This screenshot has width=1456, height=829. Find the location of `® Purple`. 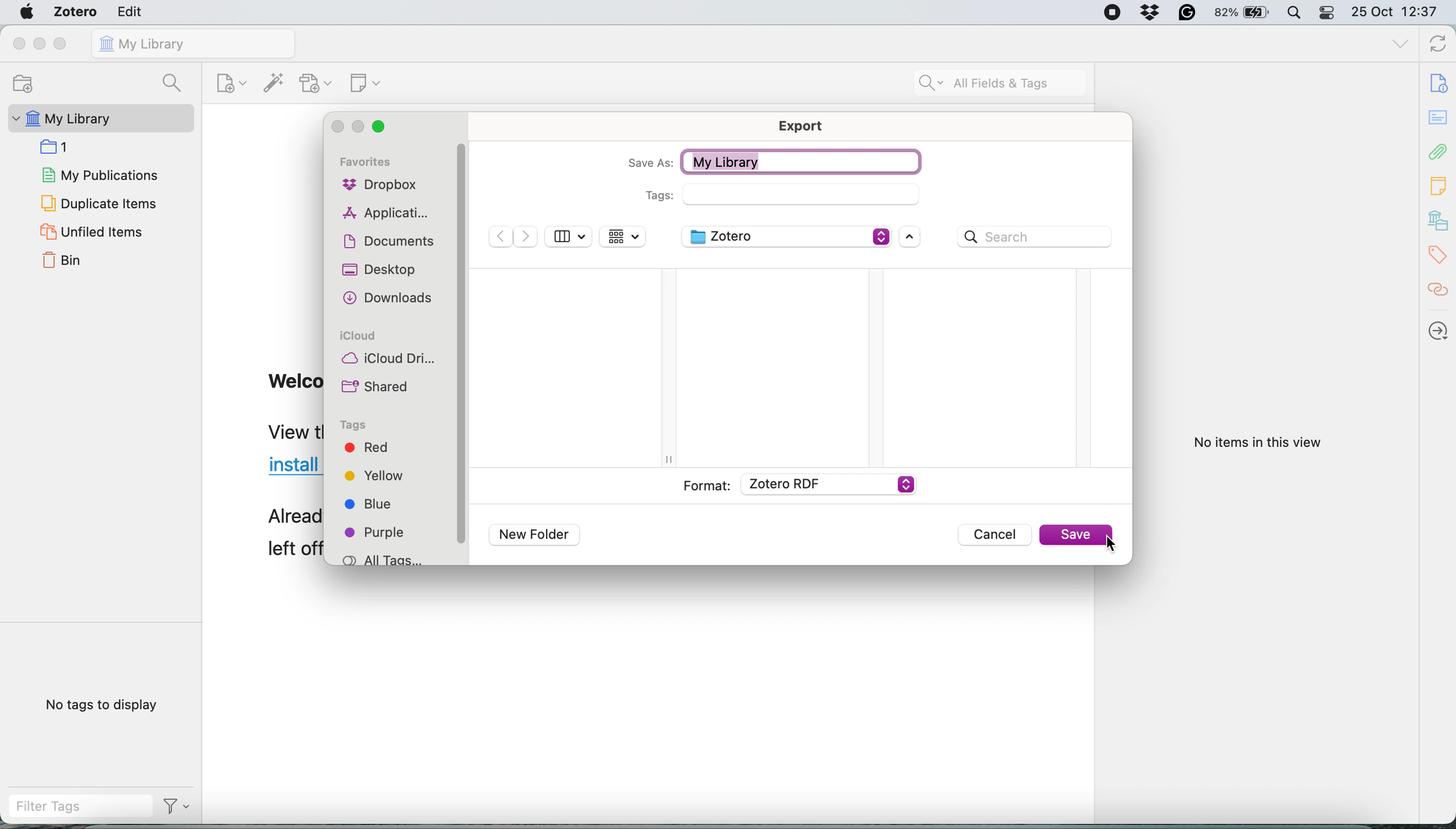

® Purple is located at coordinates (382, 534).